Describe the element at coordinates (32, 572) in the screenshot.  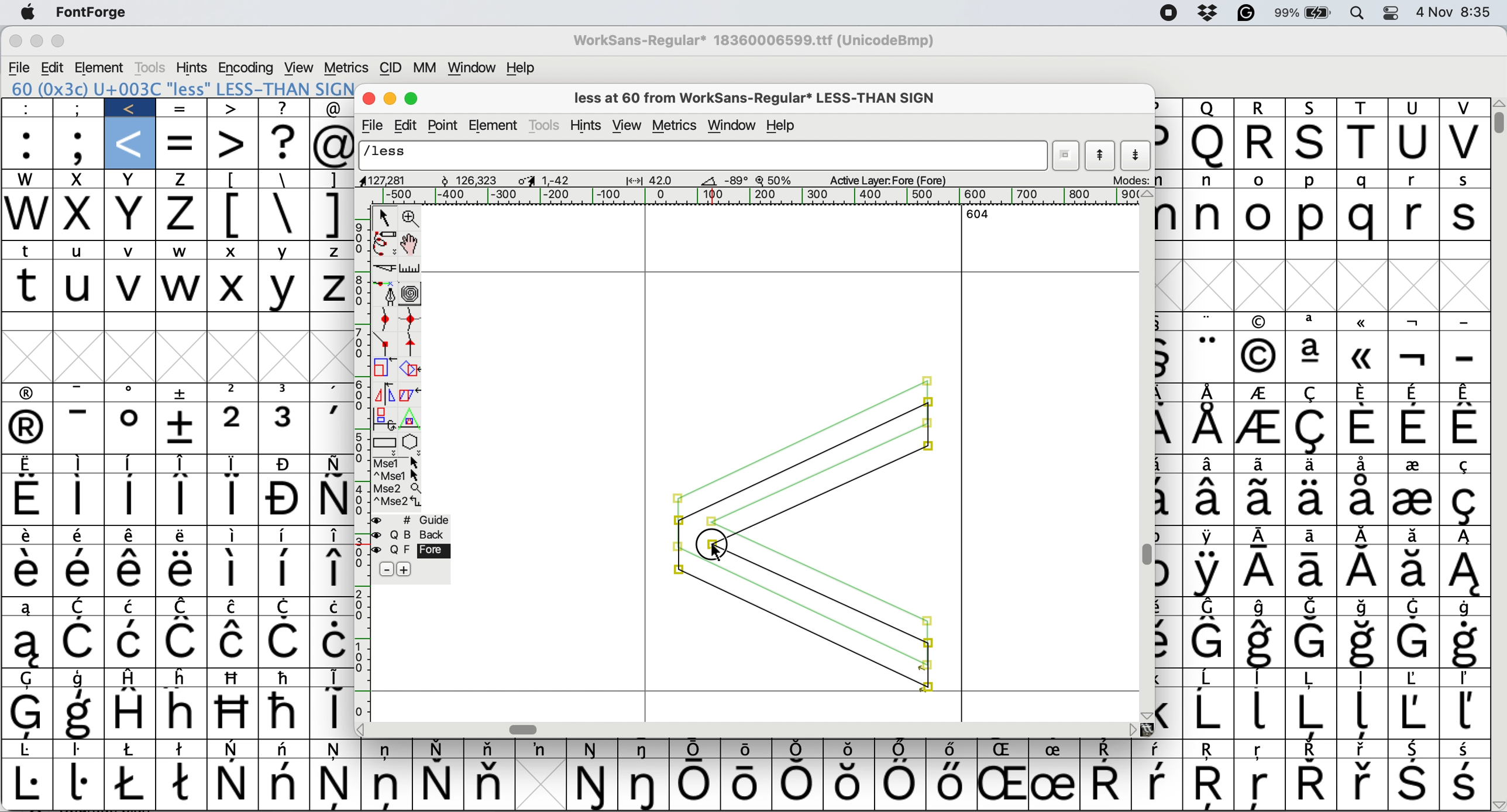
I see `Symbol` at that location.